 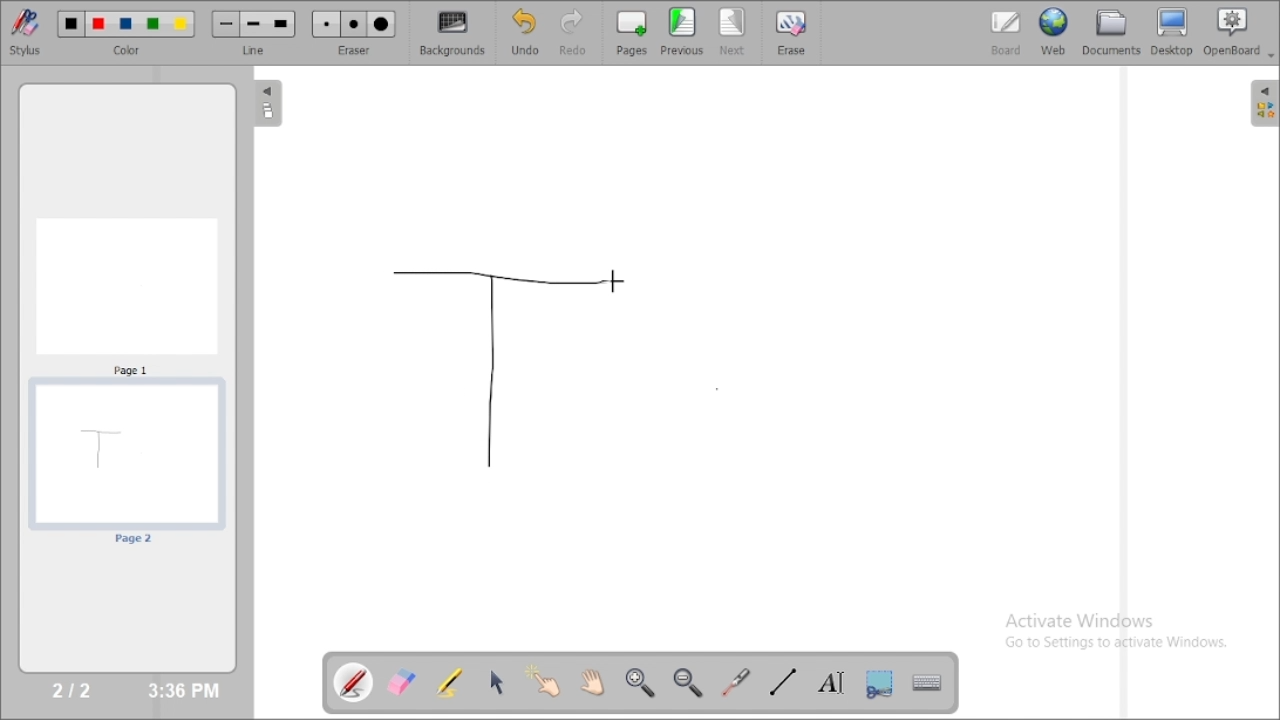 What do you see at coordinates (1122, 634) in the screenshot?
I see `Activate Windows
Go to Settings to activate Windows.` at bounding box center [1122, 634].